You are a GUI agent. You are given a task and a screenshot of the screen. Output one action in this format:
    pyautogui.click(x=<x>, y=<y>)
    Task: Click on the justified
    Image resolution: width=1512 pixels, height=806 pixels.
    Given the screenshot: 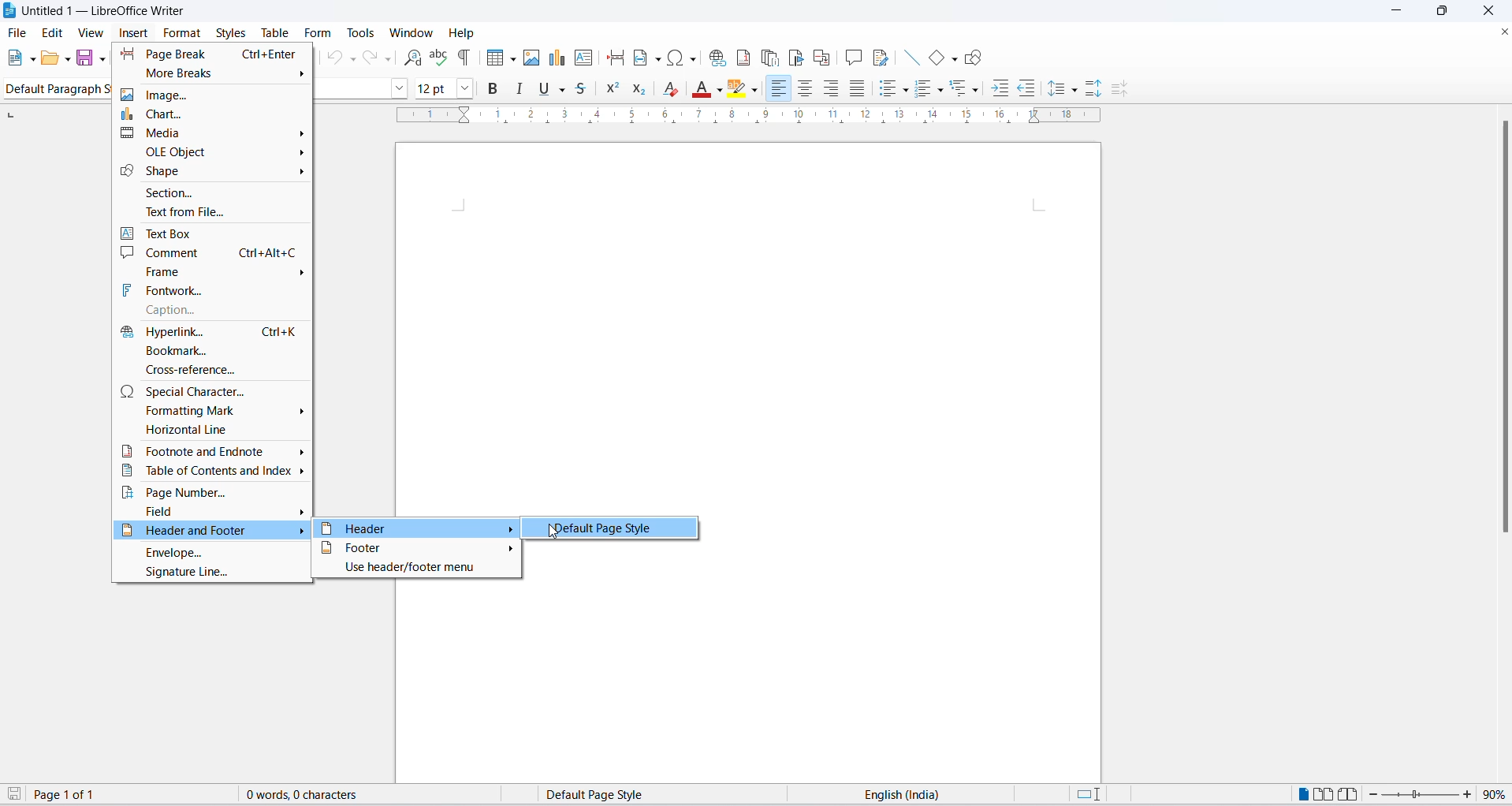 What is the action you would take?
    pyautogui.click(x=855, y=89)
    